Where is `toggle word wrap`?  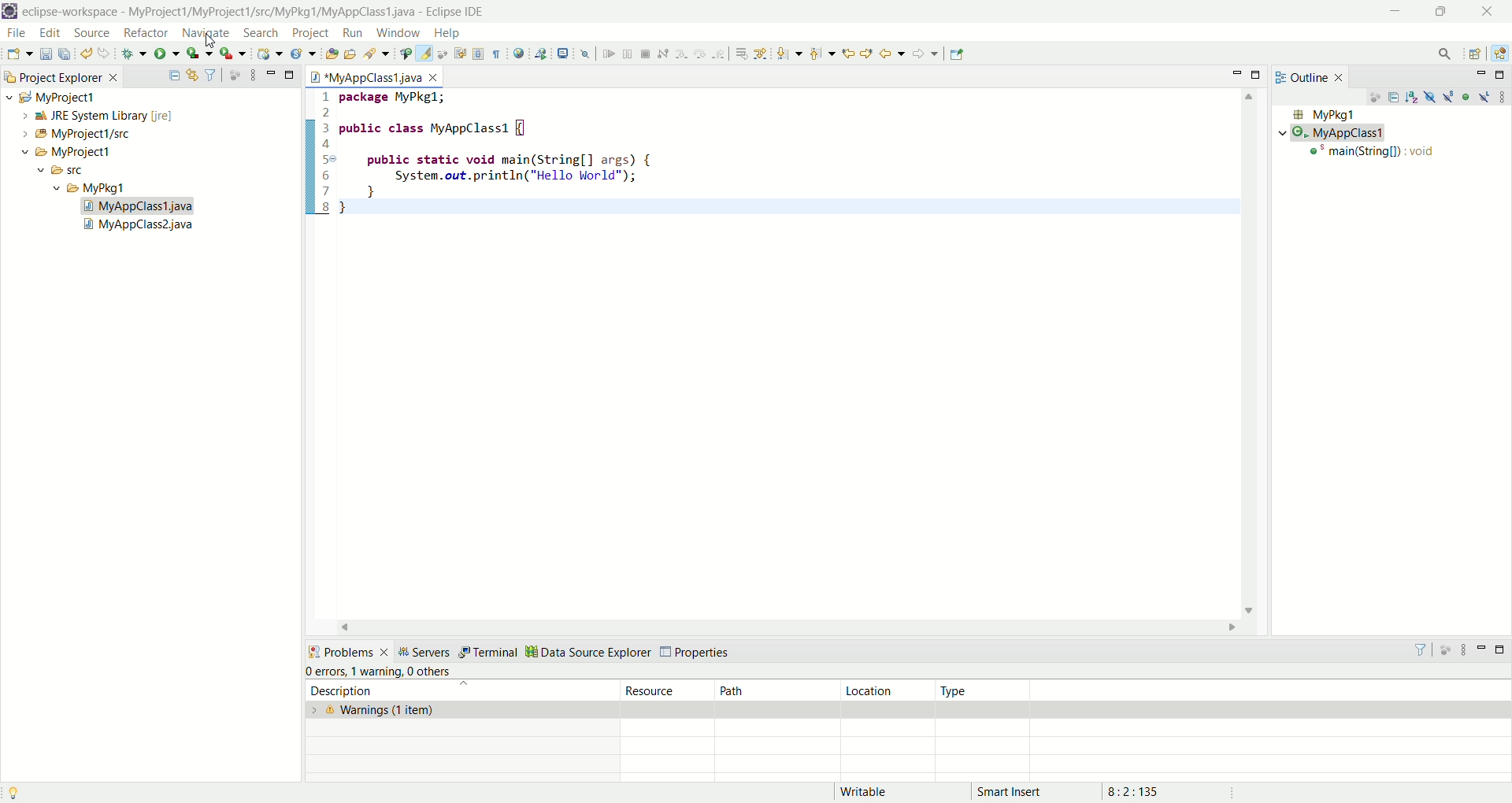
toggle word wrap is located at coordinates (466, 53).